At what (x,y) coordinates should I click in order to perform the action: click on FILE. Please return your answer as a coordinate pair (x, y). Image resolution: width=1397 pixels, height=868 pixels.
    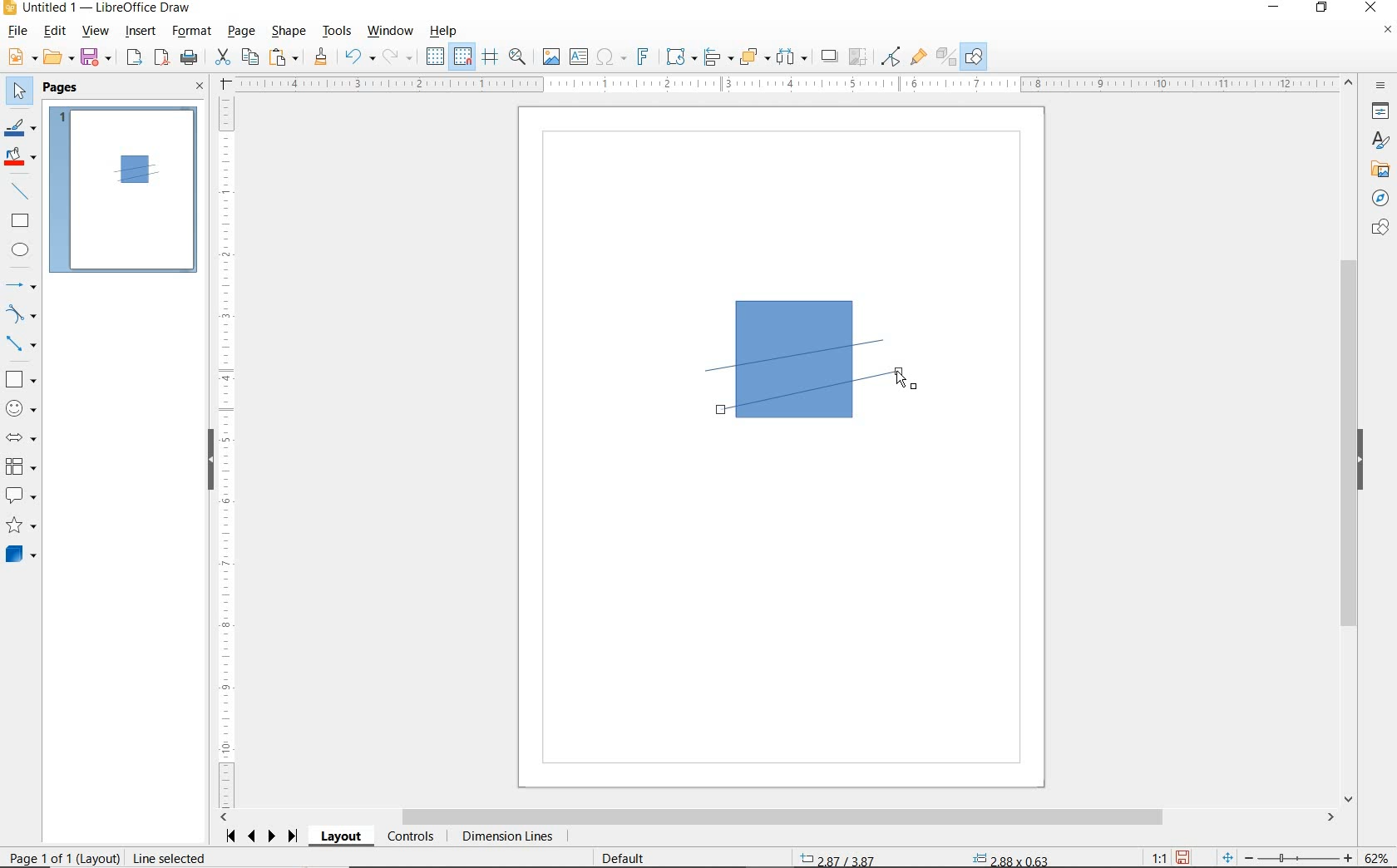
    Looking at the image, I should click on (16, 32).